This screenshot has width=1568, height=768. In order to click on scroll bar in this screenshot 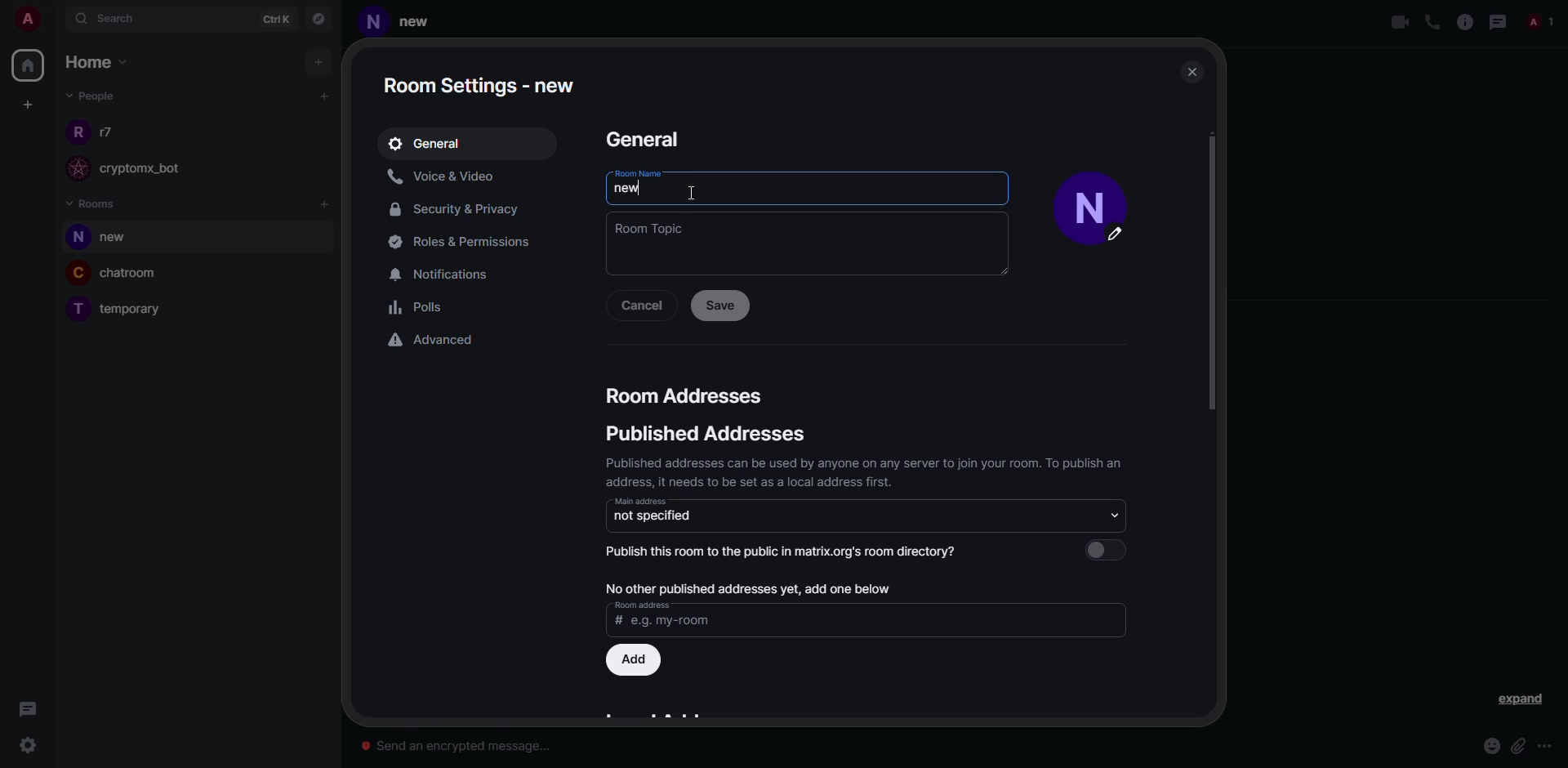, I will do `click(1218, 275)`.